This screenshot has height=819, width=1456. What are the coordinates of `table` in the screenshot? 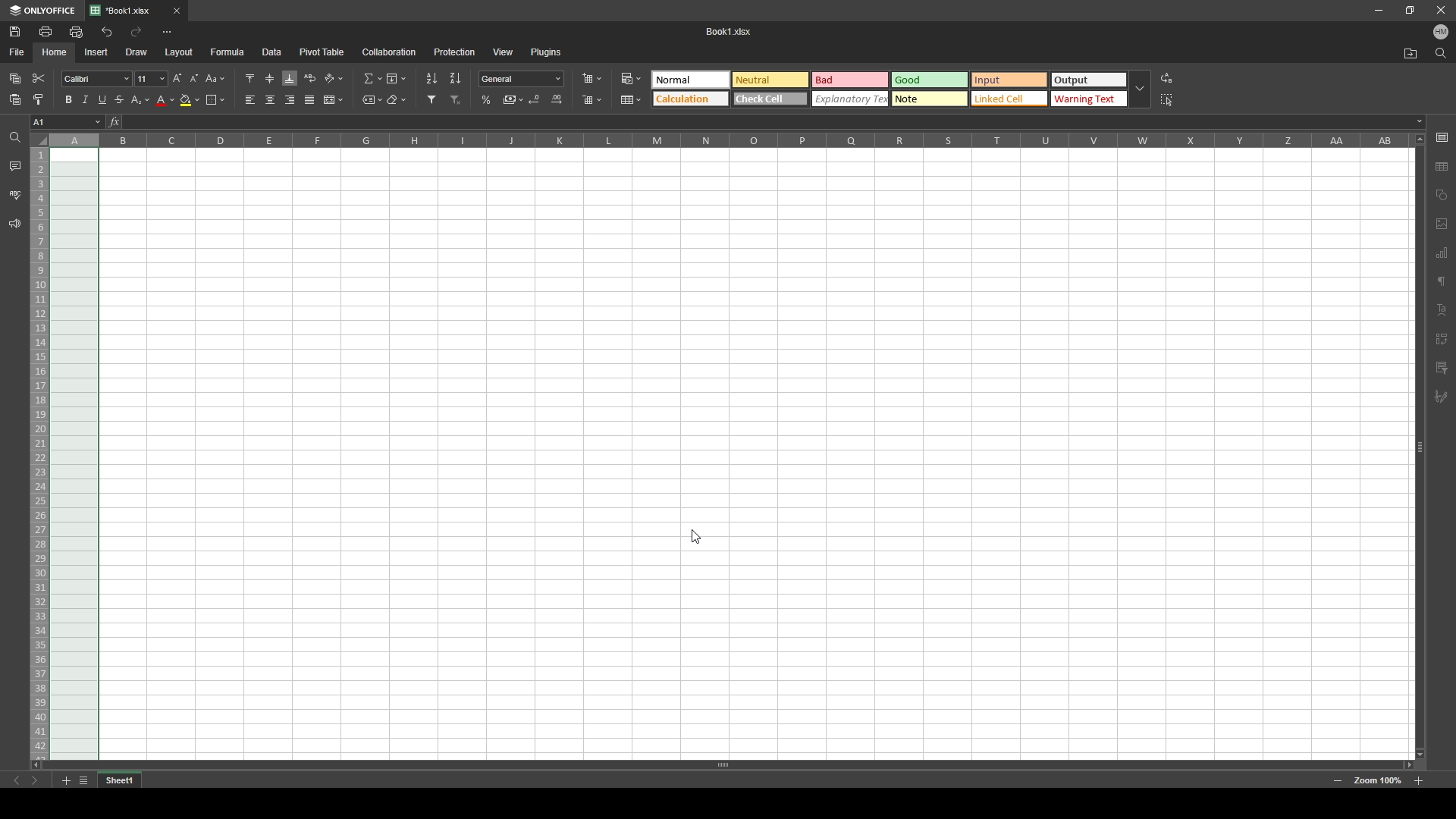 It's located at (1442, 167).